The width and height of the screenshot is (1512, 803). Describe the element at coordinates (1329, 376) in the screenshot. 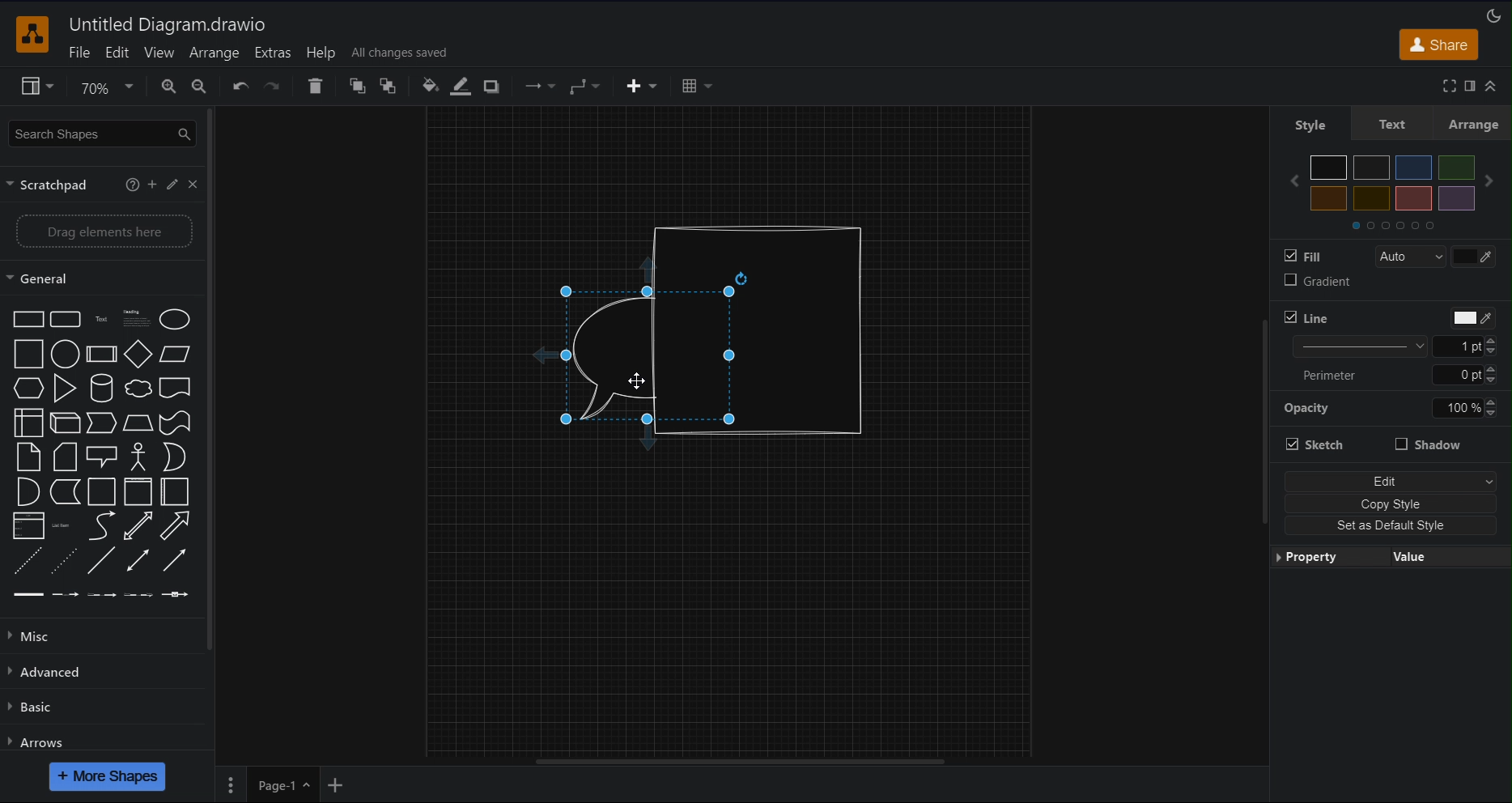

I see `Perimeter` at that location.